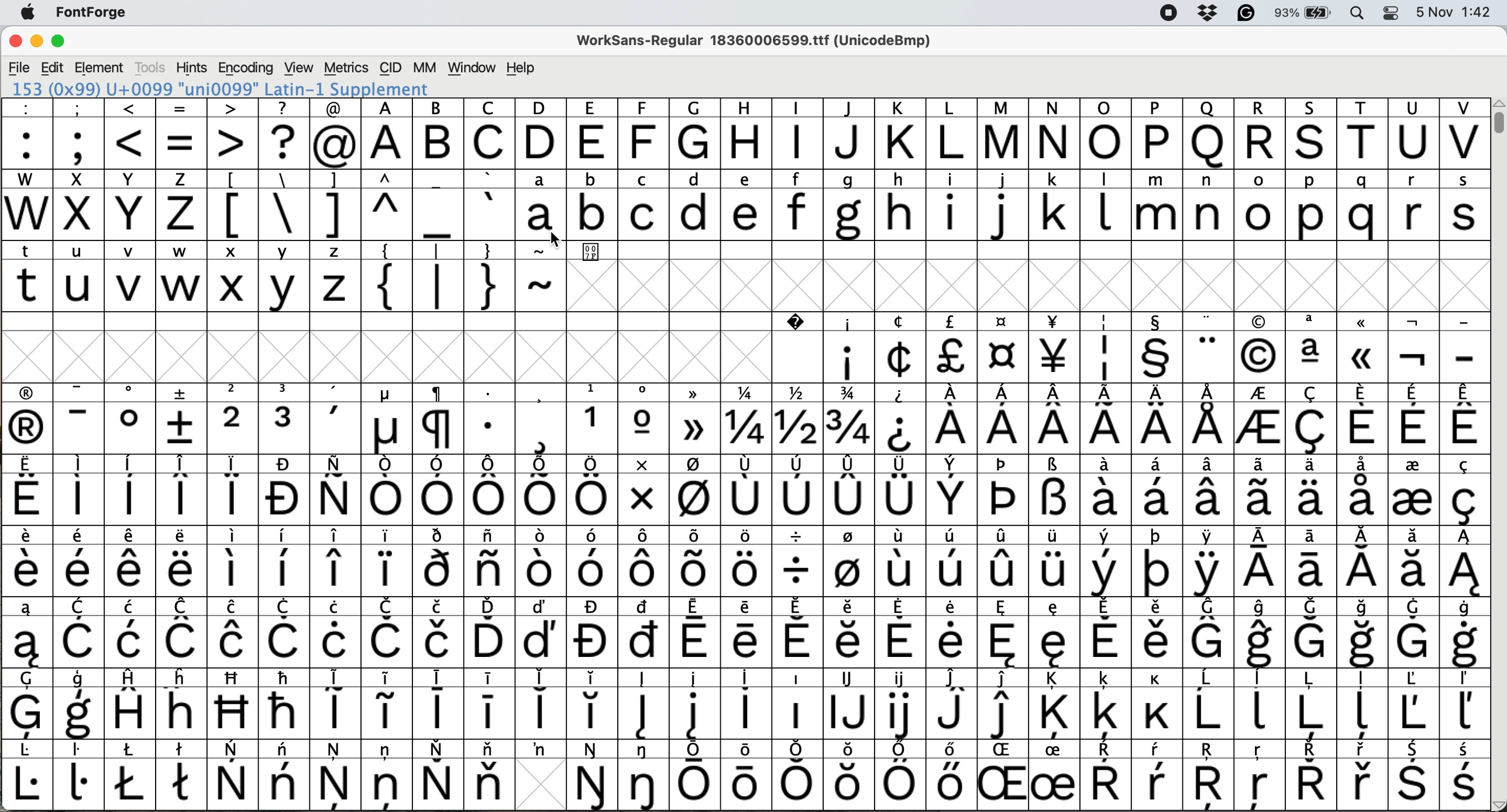 This screenshot has width=1507, height=812. What do you see at coordinates (37, 42) in the screenshot?
I see `minimise` at bounding box center [37, 42].